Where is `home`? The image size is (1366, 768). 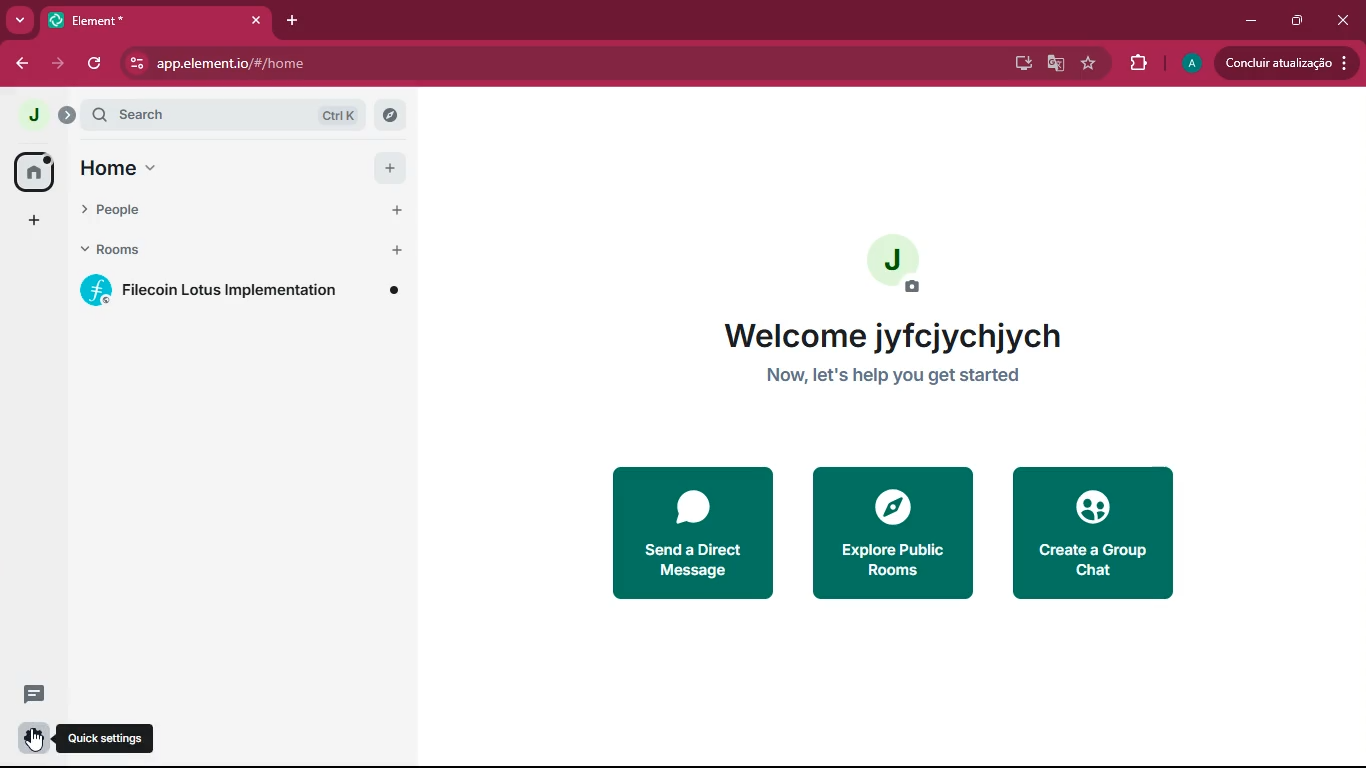
home is located at coordinates (175, 167).